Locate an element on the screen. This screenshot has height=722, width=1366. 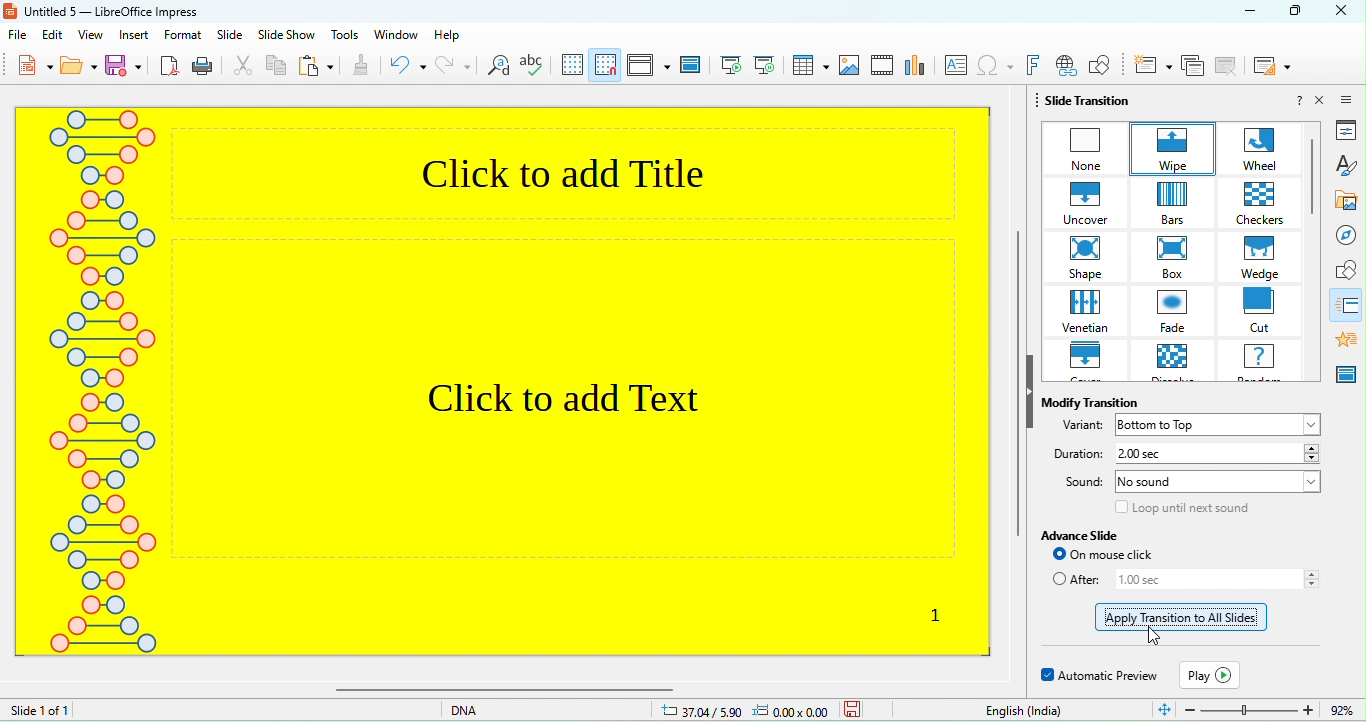
redo is located at coordinates (449, 70).